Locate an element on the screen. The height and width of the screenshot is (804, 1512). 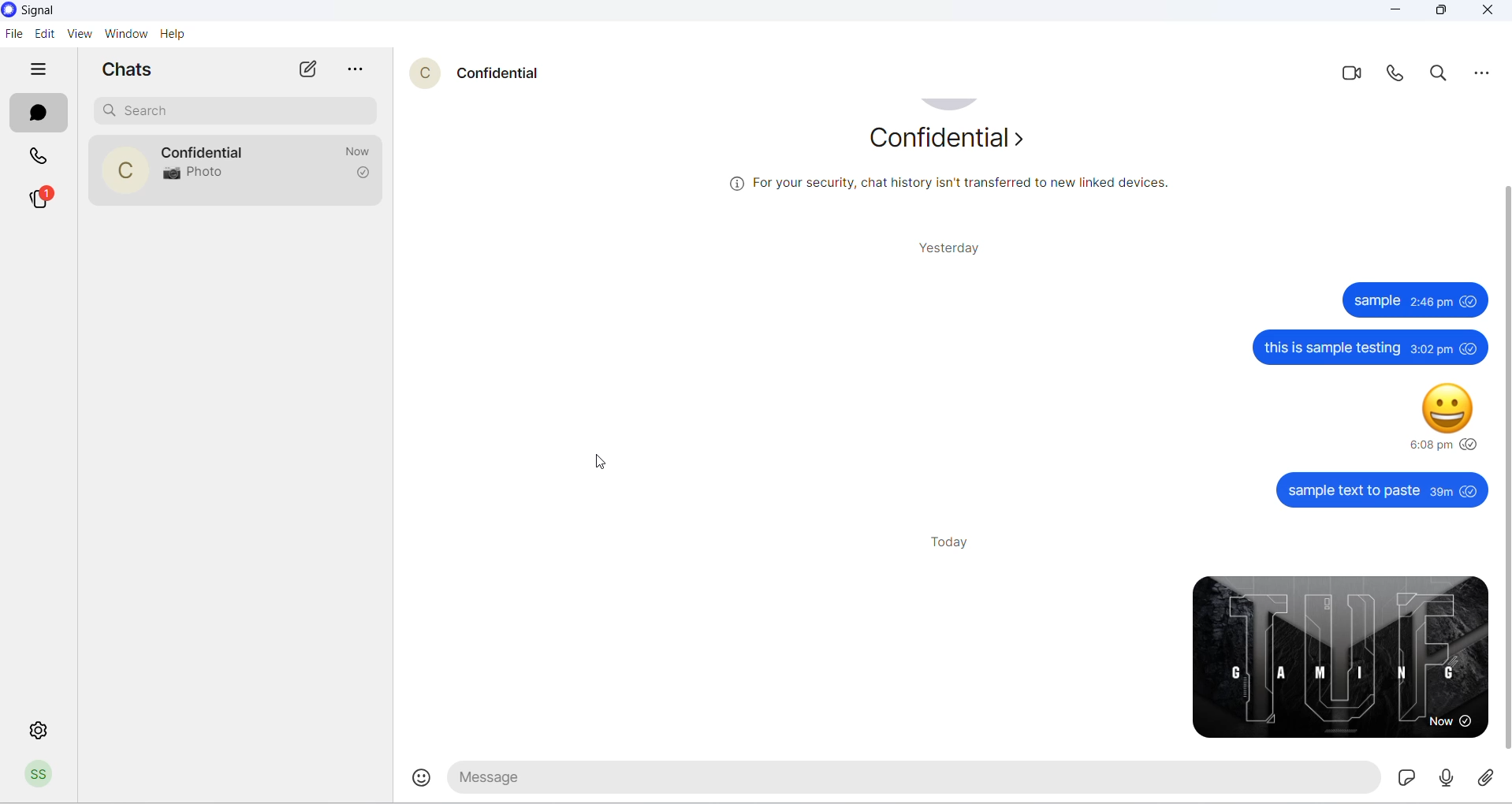
security related text is located at coordinates (929, 184).